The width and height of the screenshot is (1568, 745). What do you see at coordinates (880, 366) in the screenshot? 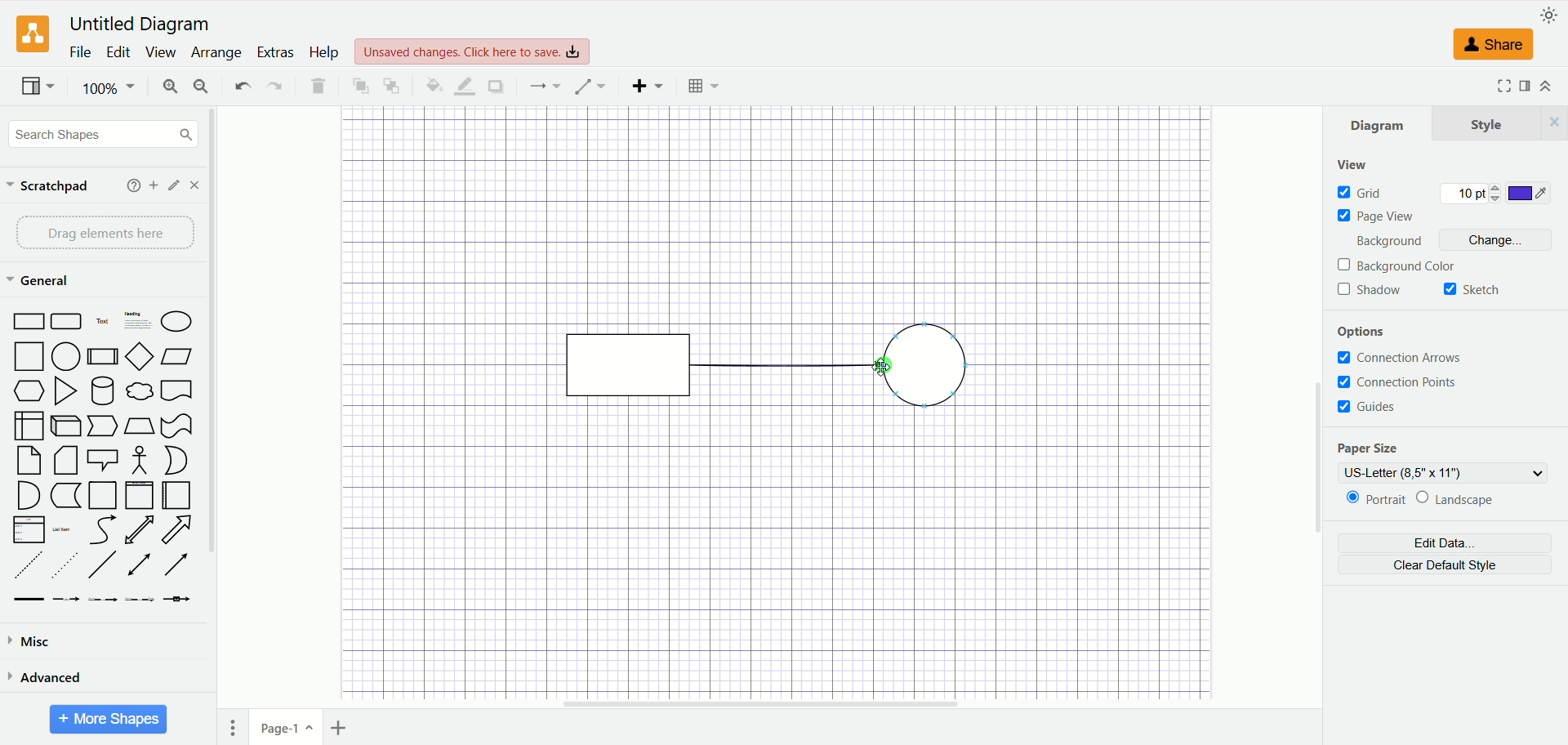
I see `cursor MOUSE_UP` at bounding box center [880, 366].